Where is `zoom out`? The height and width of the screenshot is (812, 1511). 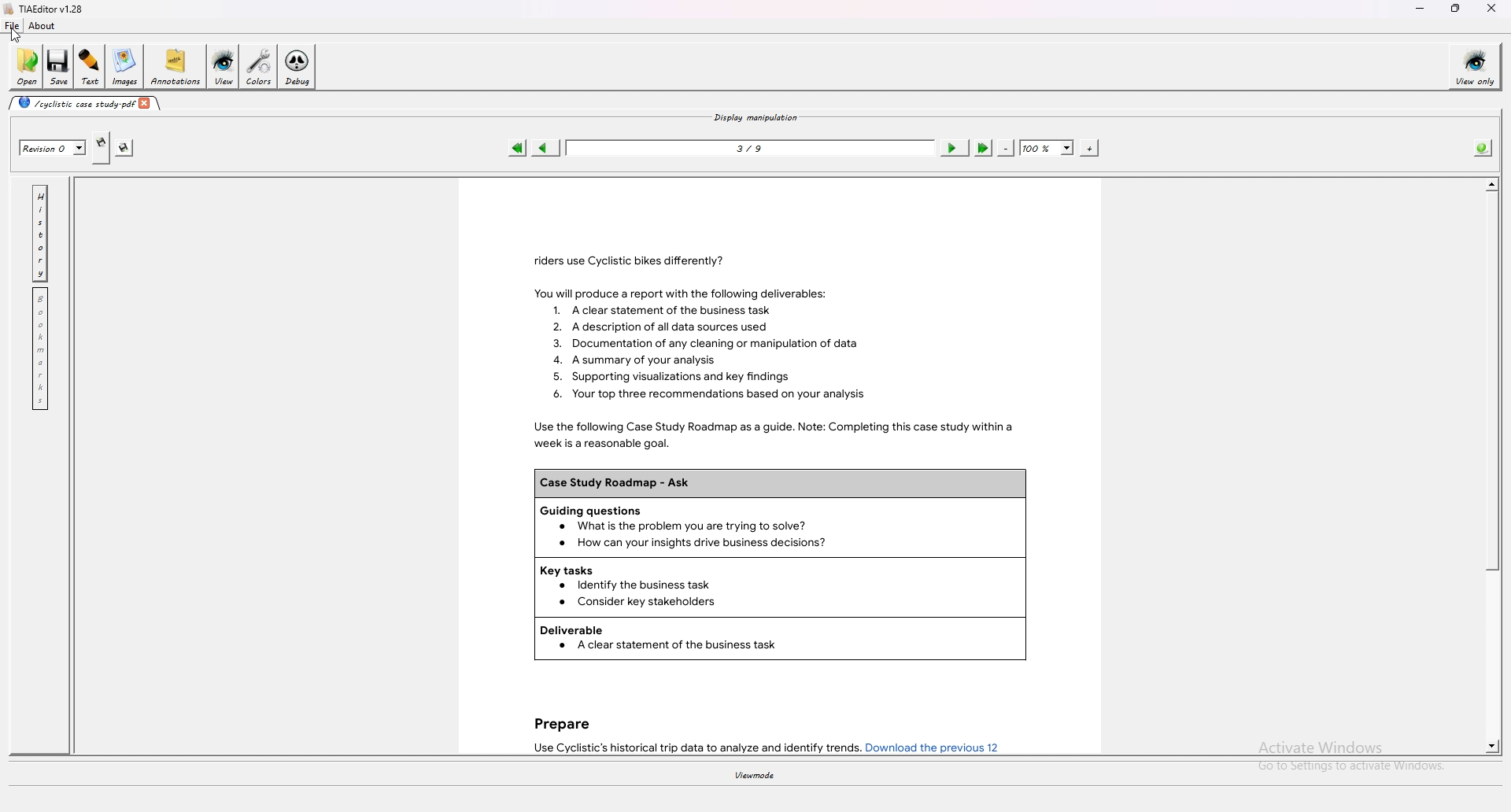 zoom out is located at coordinates (1005, 147).